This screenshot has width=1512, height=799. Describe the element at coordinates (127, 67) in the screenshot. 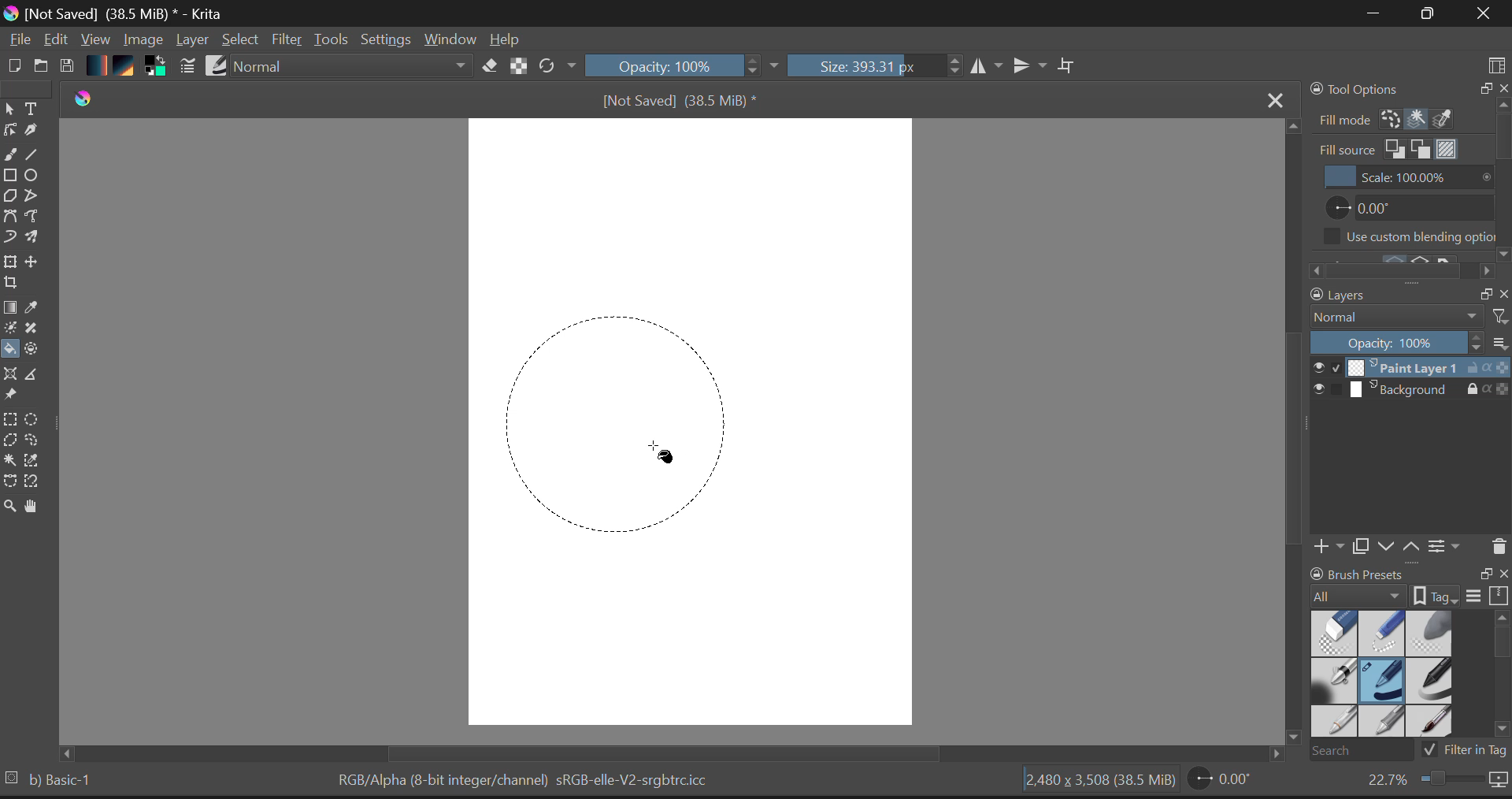

I see `Pattern` at that location.